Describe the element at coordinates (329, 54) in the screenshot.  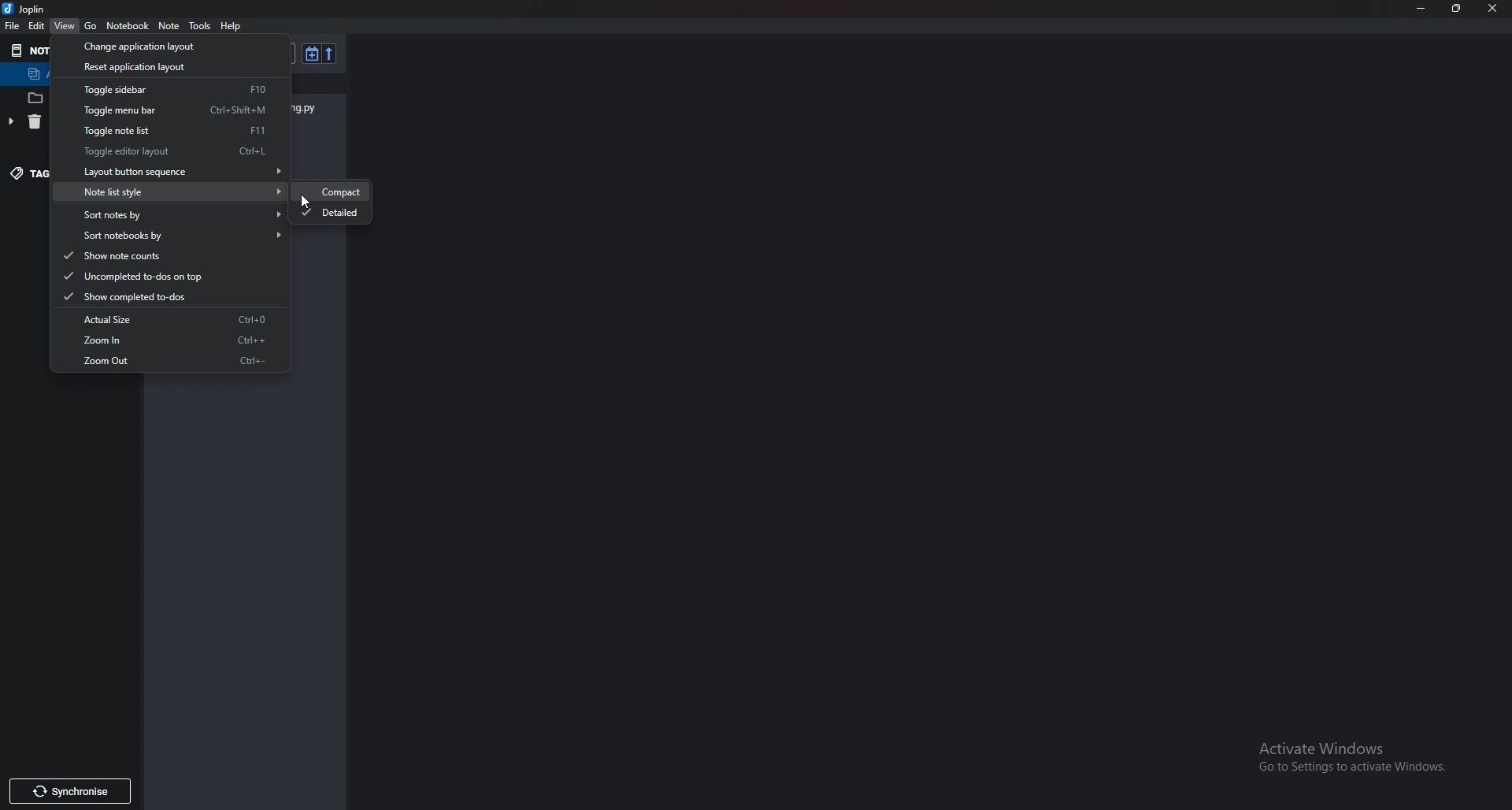
I see `Reverse sort order` at that location.